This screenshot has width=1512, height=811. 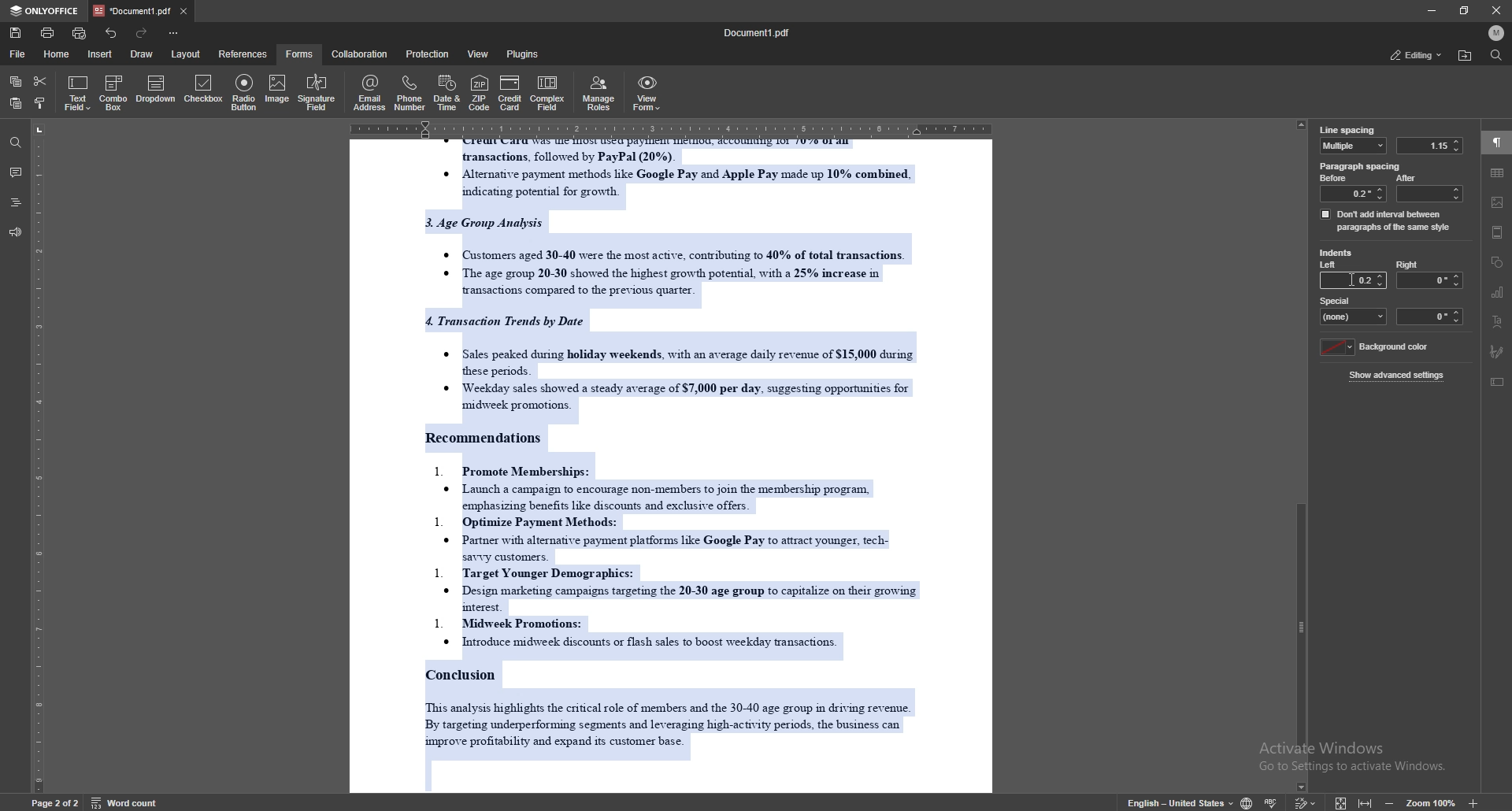 What do you see at coordinates (246, 92) in the screenshot?
I see `radio button` at bounding box center [246, 92].